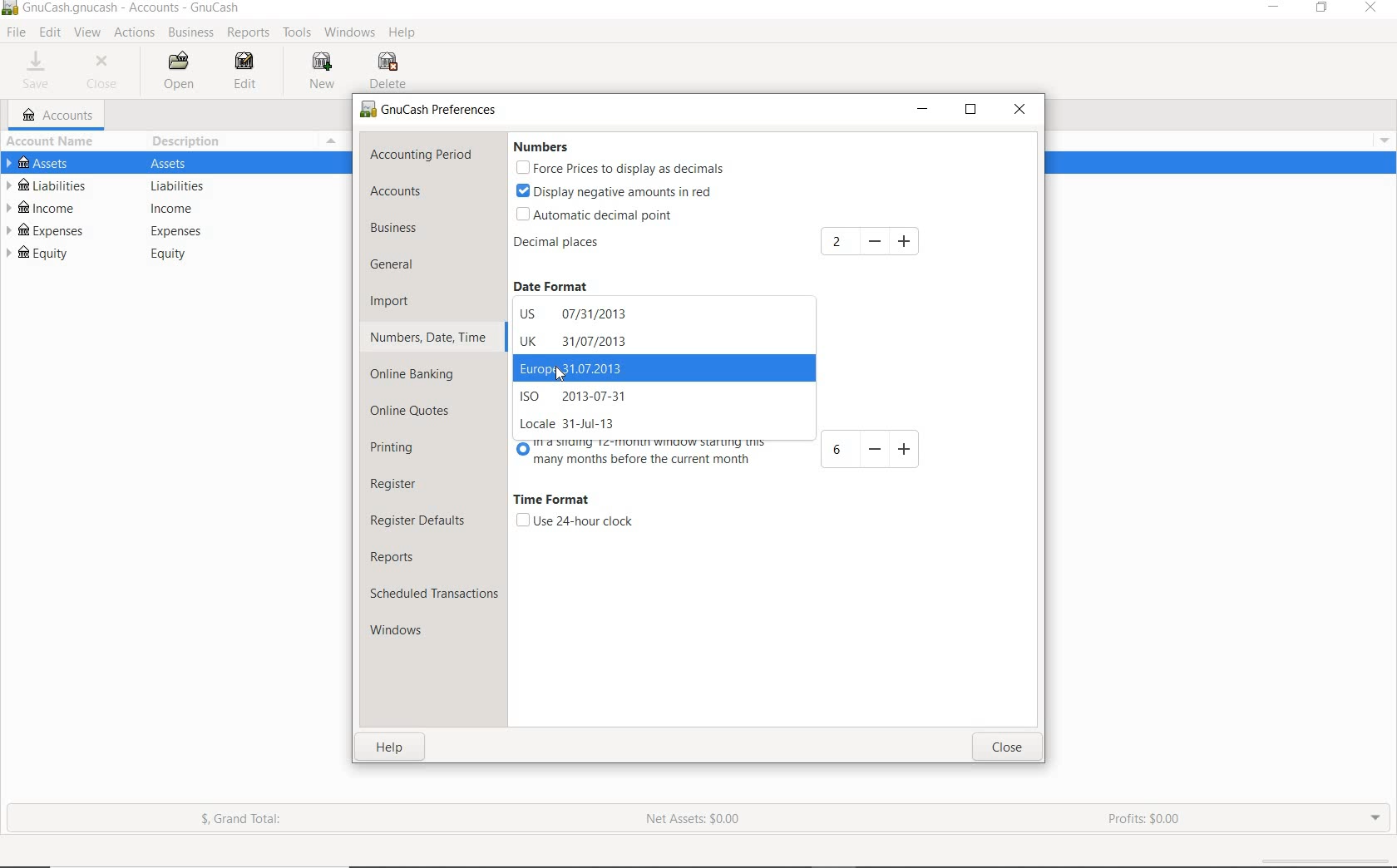 The image size is (1397, 868). What do you see at coordinates (125, 8) in the screenshot?
I see `SYSTEM NAME` at bounding box center [125, 8].